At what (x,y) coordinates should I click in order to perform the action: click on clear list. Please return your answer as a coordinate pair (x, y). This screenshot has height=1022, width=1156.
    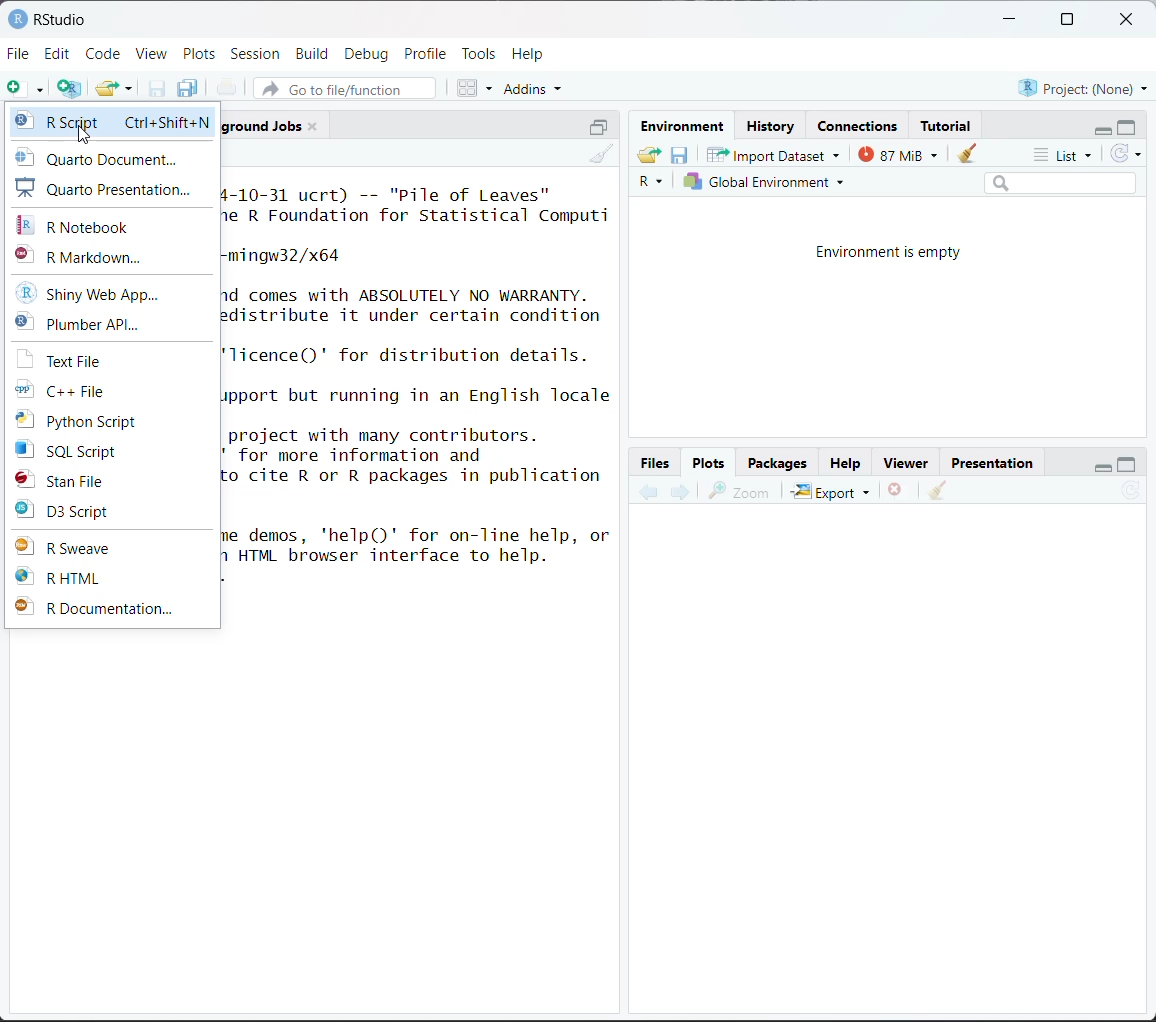
    Looking at the image, I should click on (131, 88).